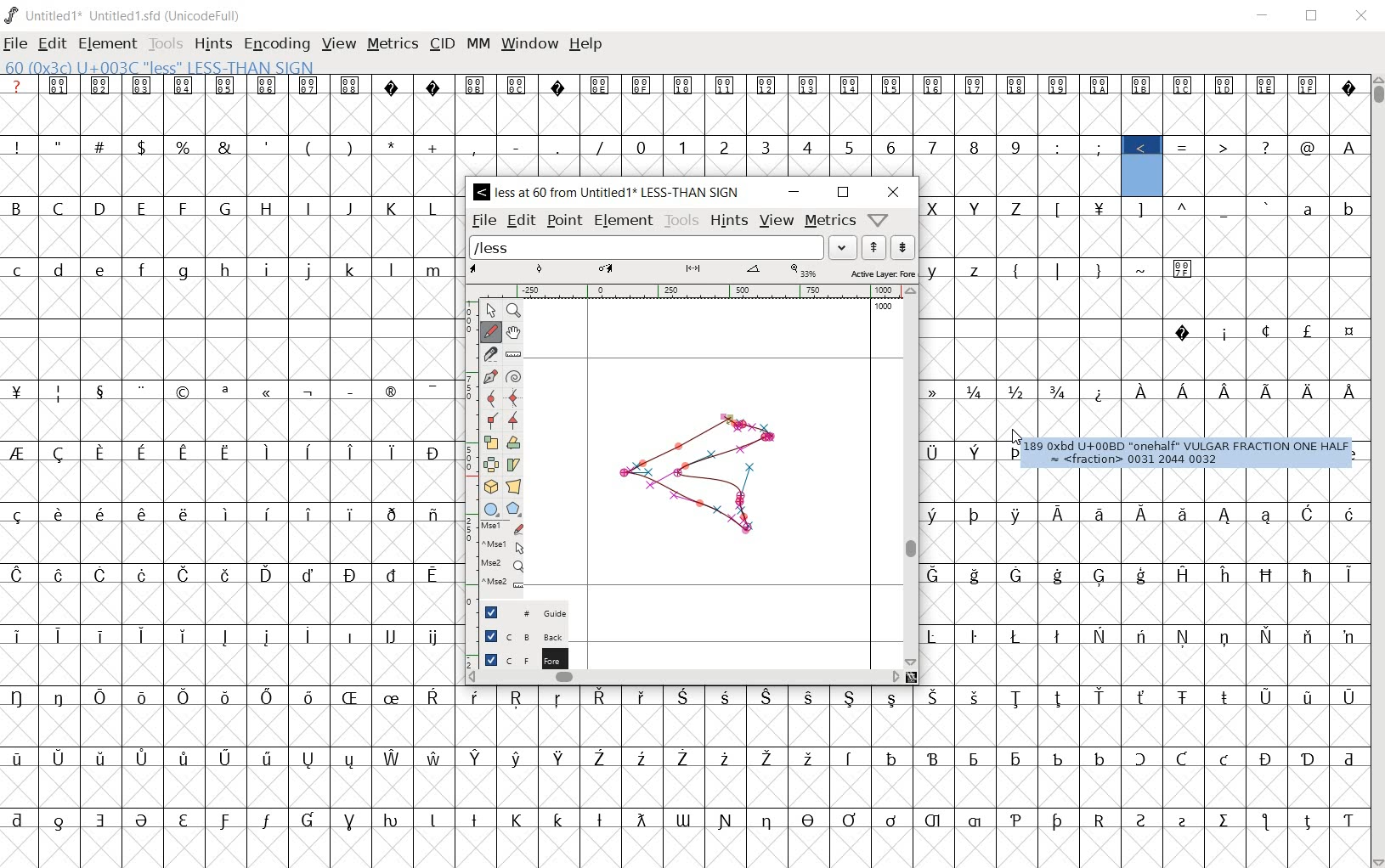 The height and width of the screenshot is (868, 1385). Describe the element at coordinates (1253, 330) in the screenshot. I see `symbols` at that location.